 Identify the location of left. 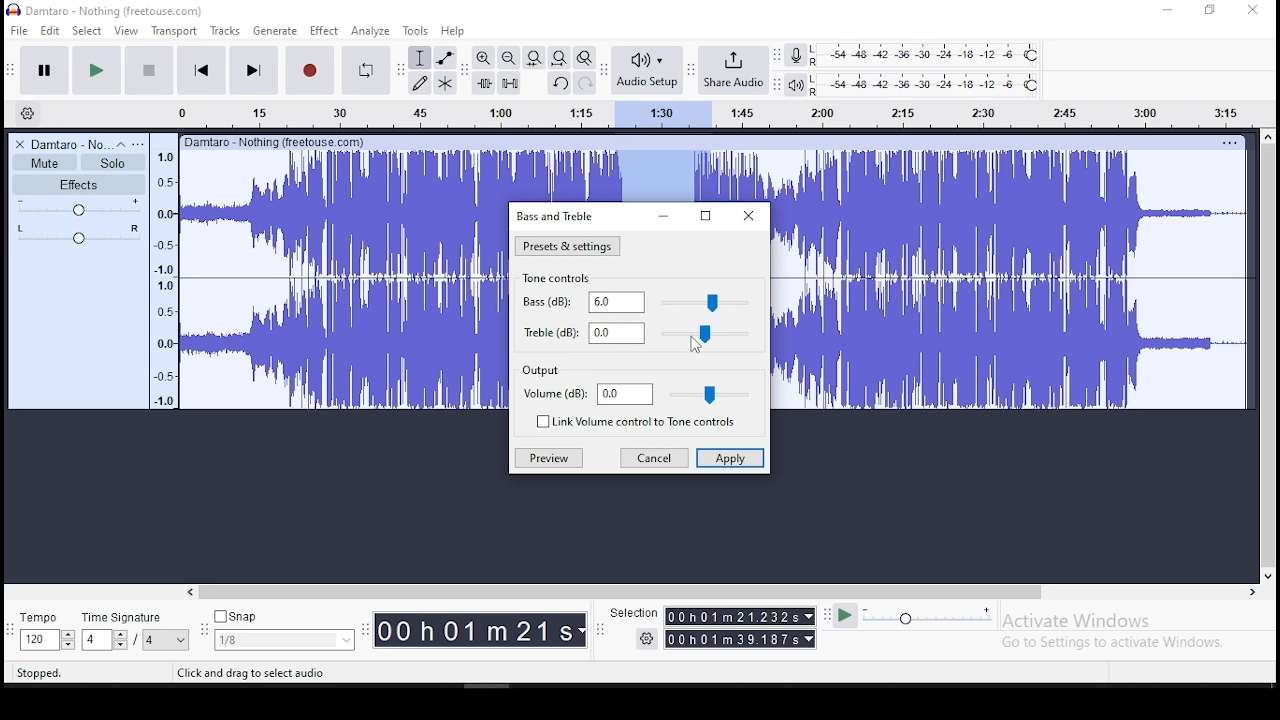
(189, 592).